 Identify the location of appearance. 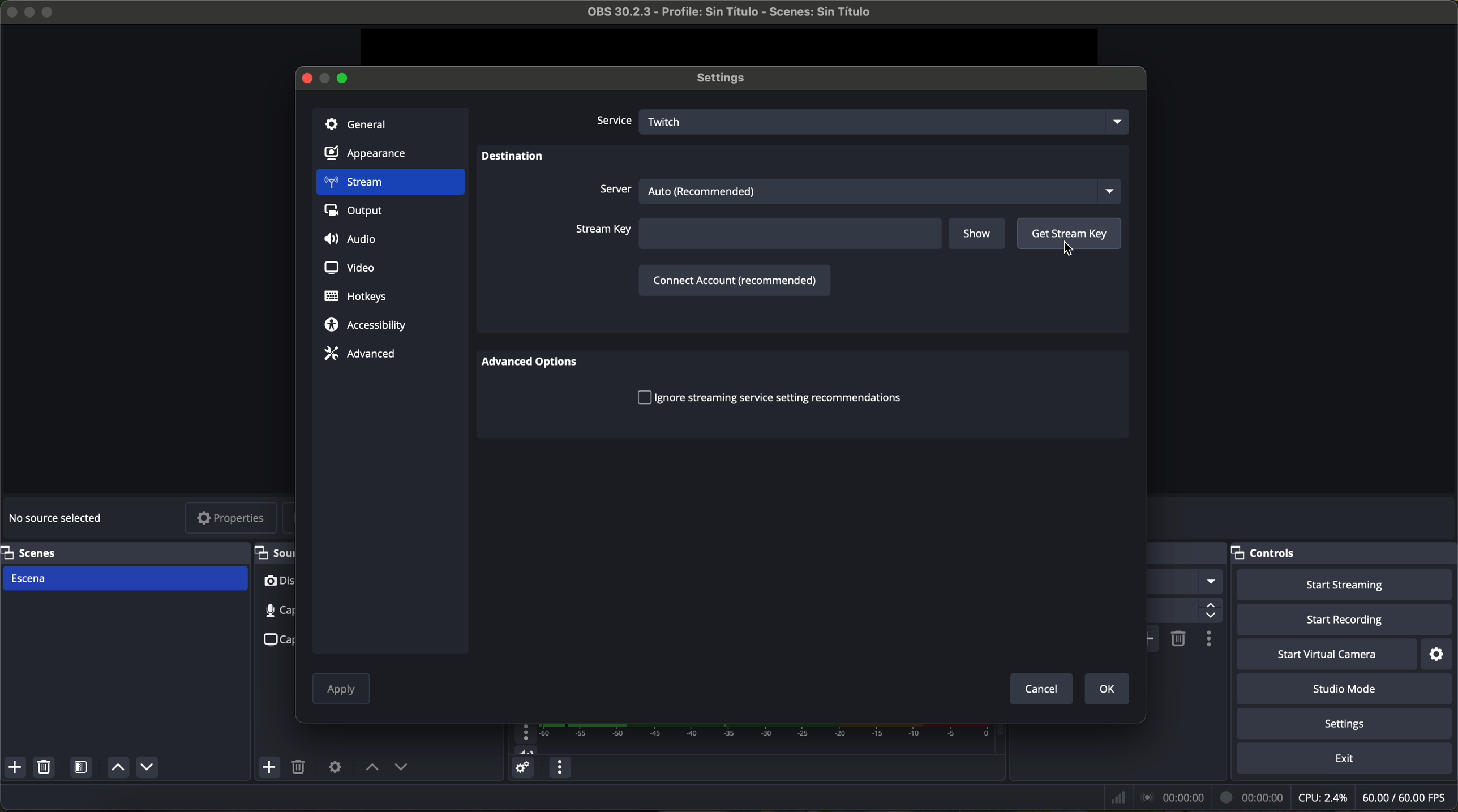
(372, 156).